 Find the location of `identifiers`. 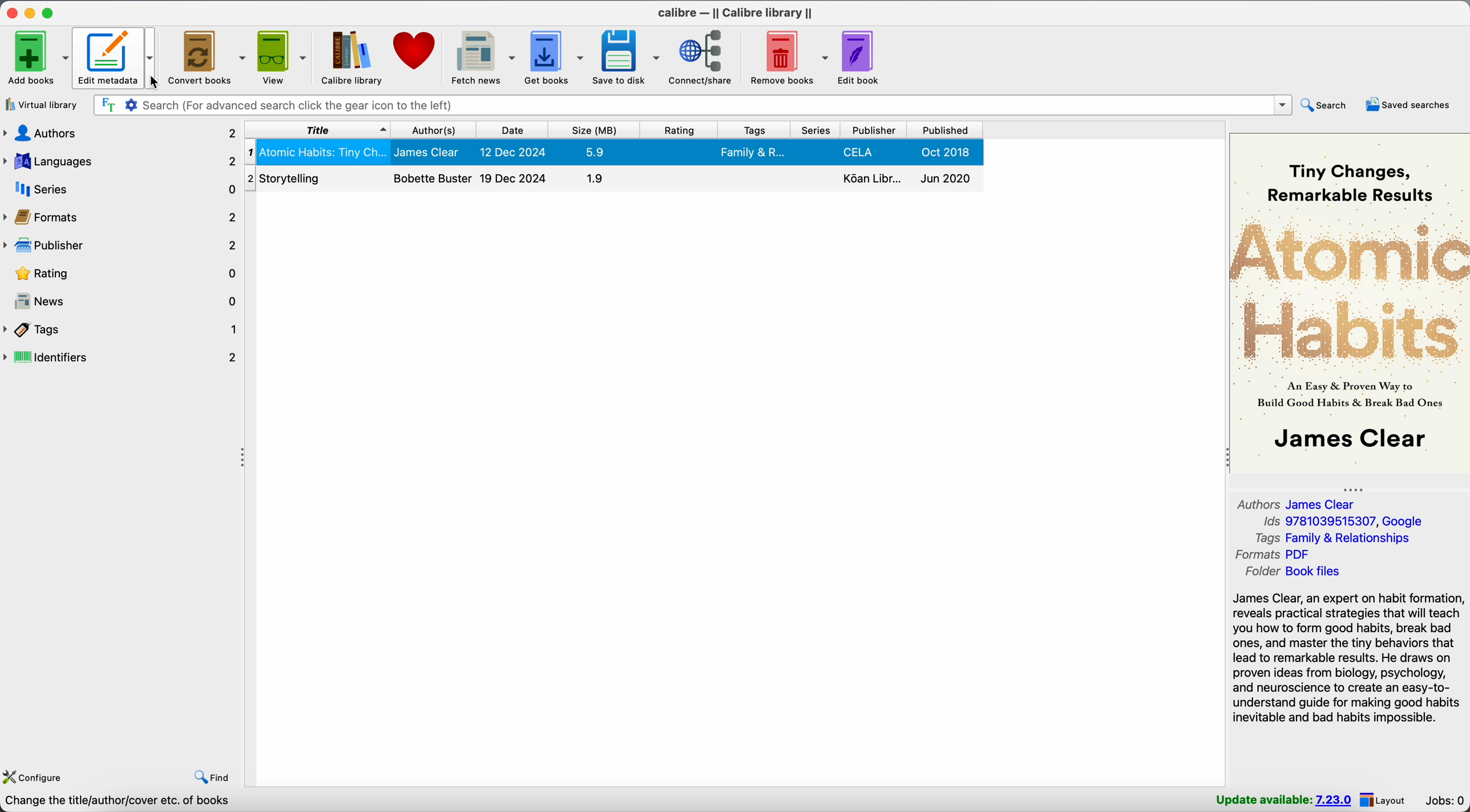

identifiers is located at coordinates (123, 358).